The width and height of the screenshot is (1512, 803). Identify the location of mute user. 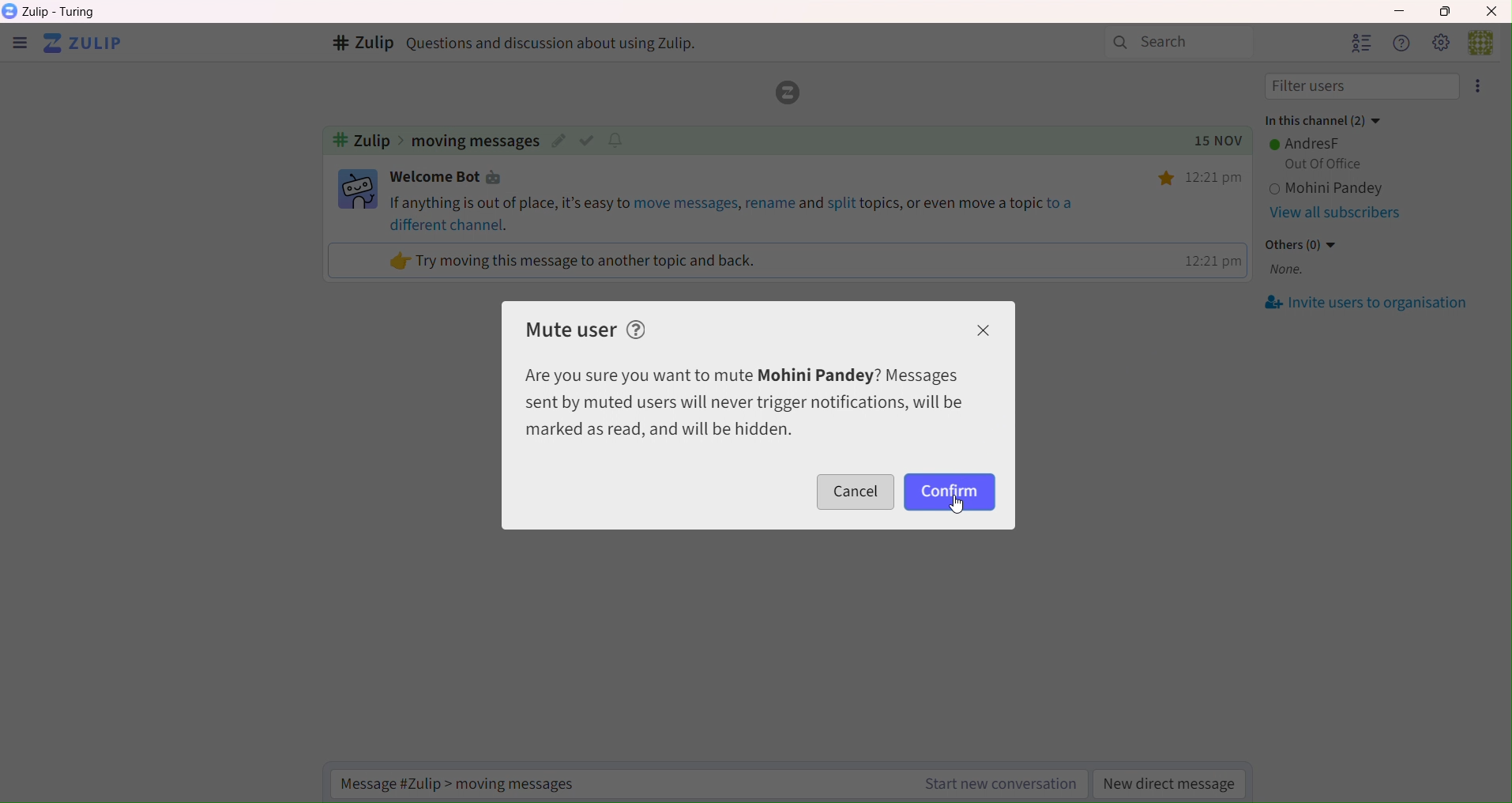
(573, 328).